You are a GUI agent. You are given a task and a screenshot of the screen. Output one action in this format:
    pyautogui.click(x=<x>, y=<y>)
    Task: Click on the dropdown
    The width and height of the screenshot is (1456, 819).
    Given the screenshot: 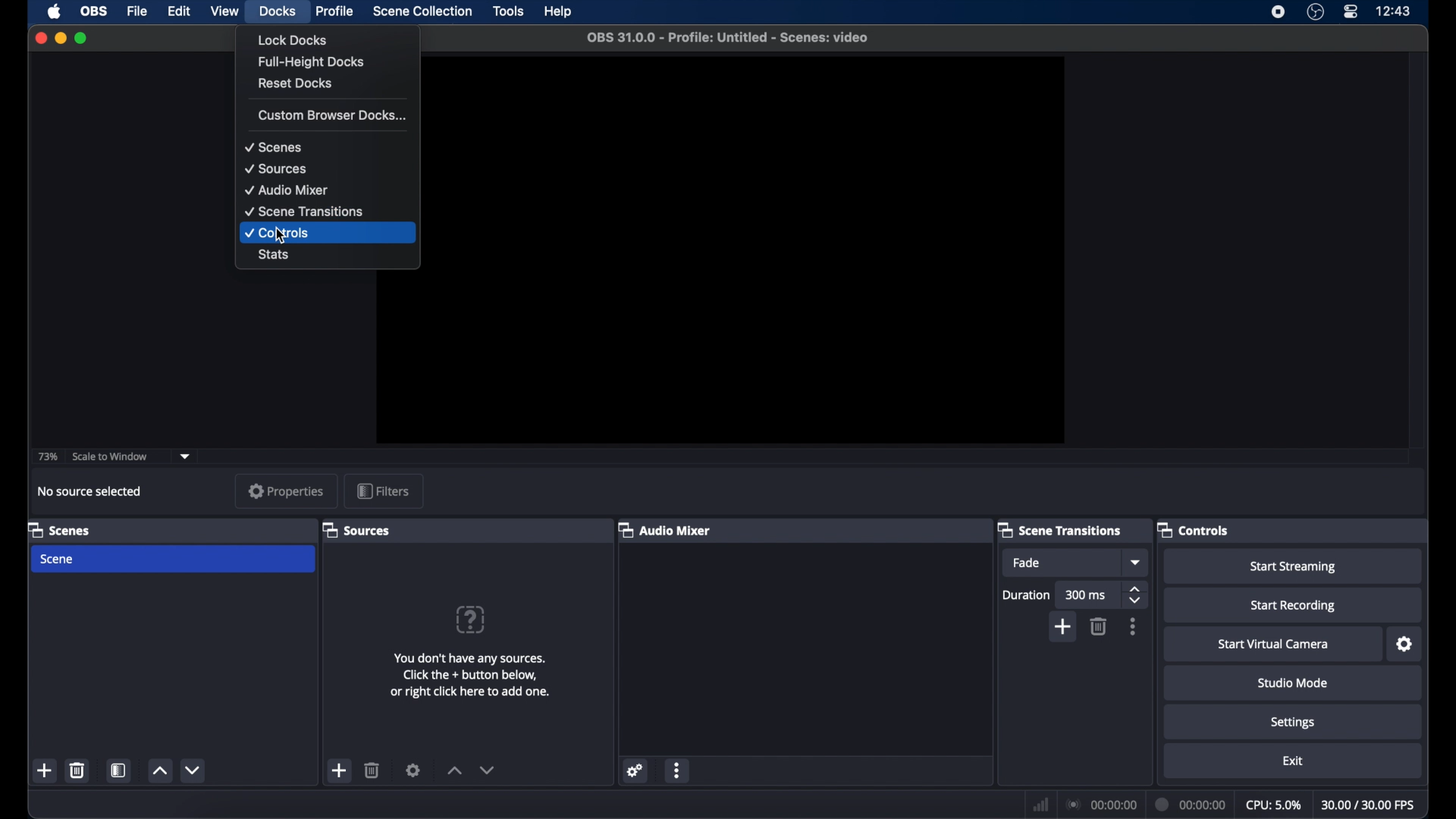 What is the action you would take?
    pyautogui.click(x=1136, y=563)
    